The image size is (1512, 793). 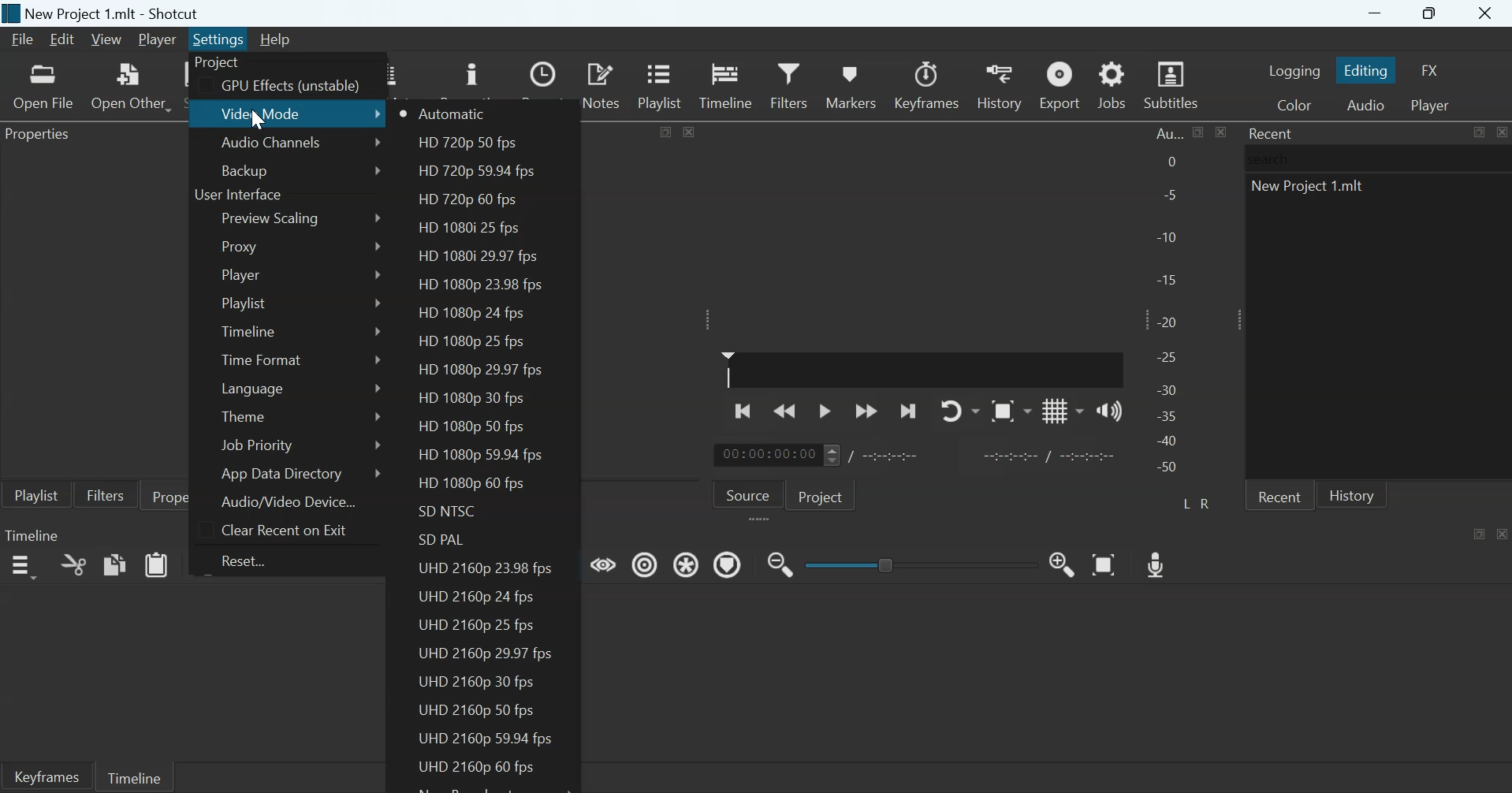 What do you see at coordinates (471, 767) in the screenshot?
I see `UHD 2160p 60 fps` at bounding box center [471, 767].